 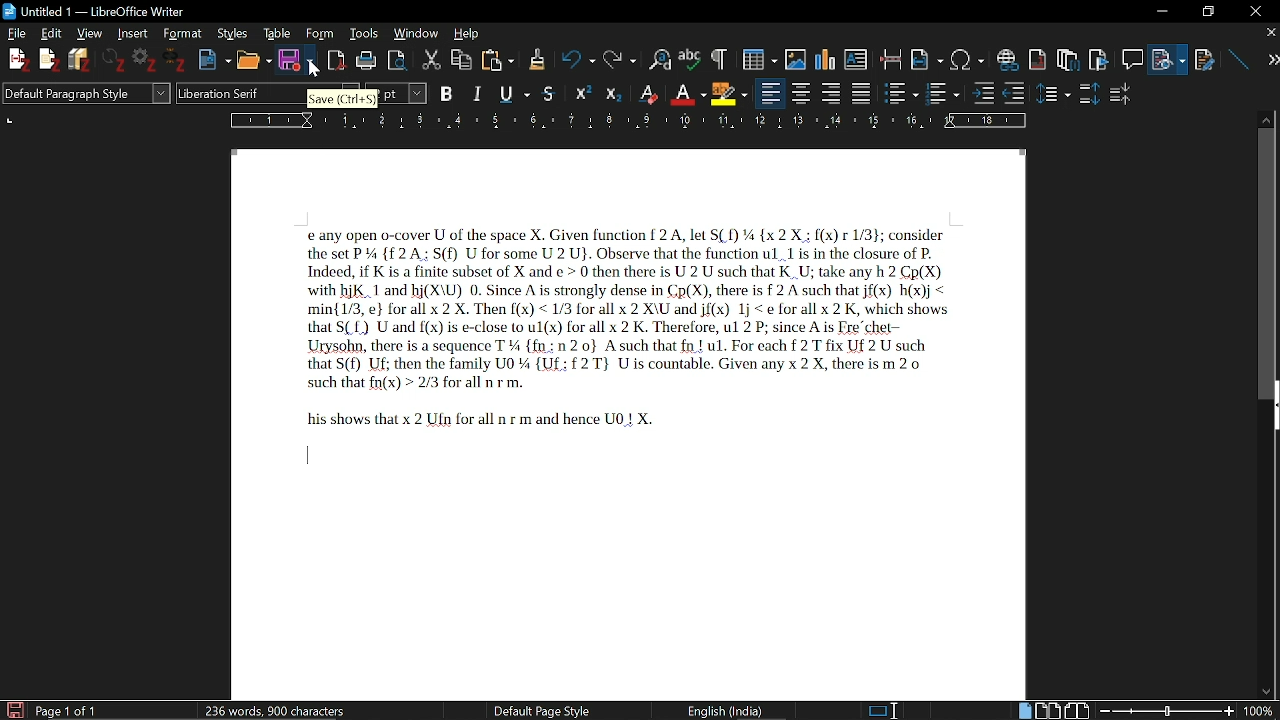 I want to click on , so click(x=983, y=92).